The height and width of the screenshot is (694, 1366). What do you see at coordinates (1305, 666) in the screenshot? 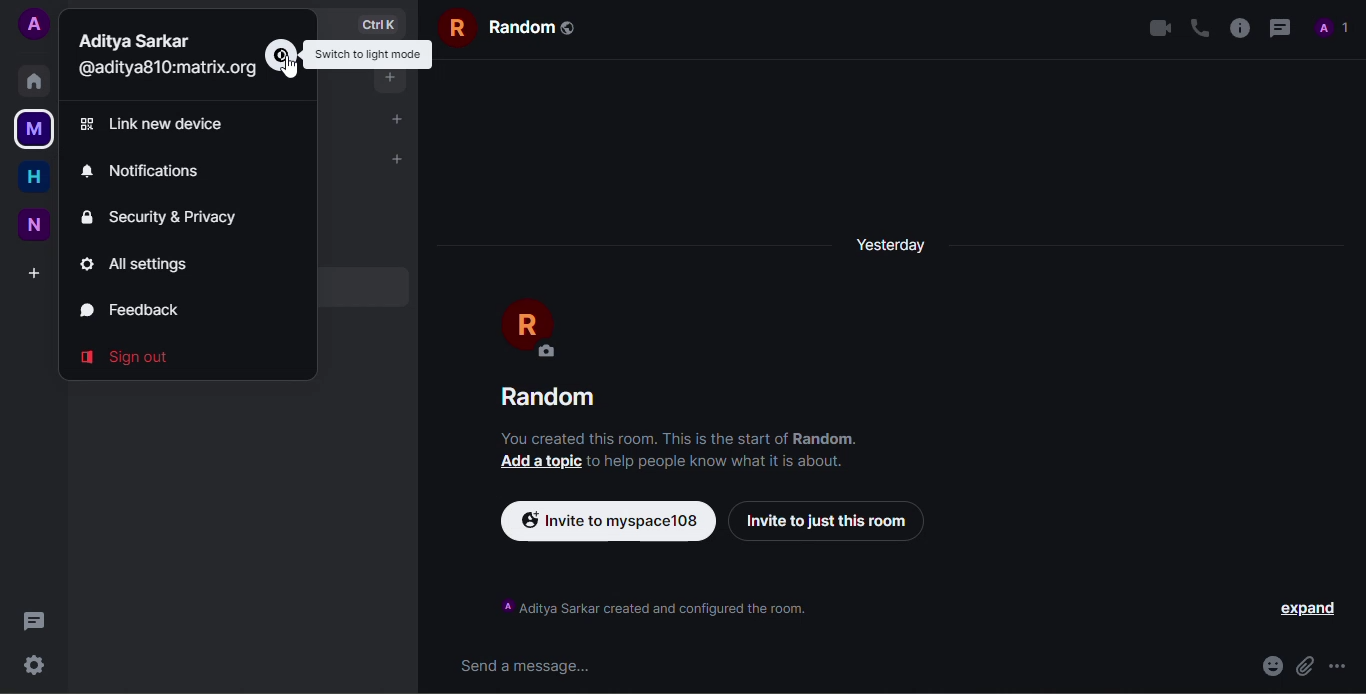
I see `attach` at bounding box center [1305, 666].